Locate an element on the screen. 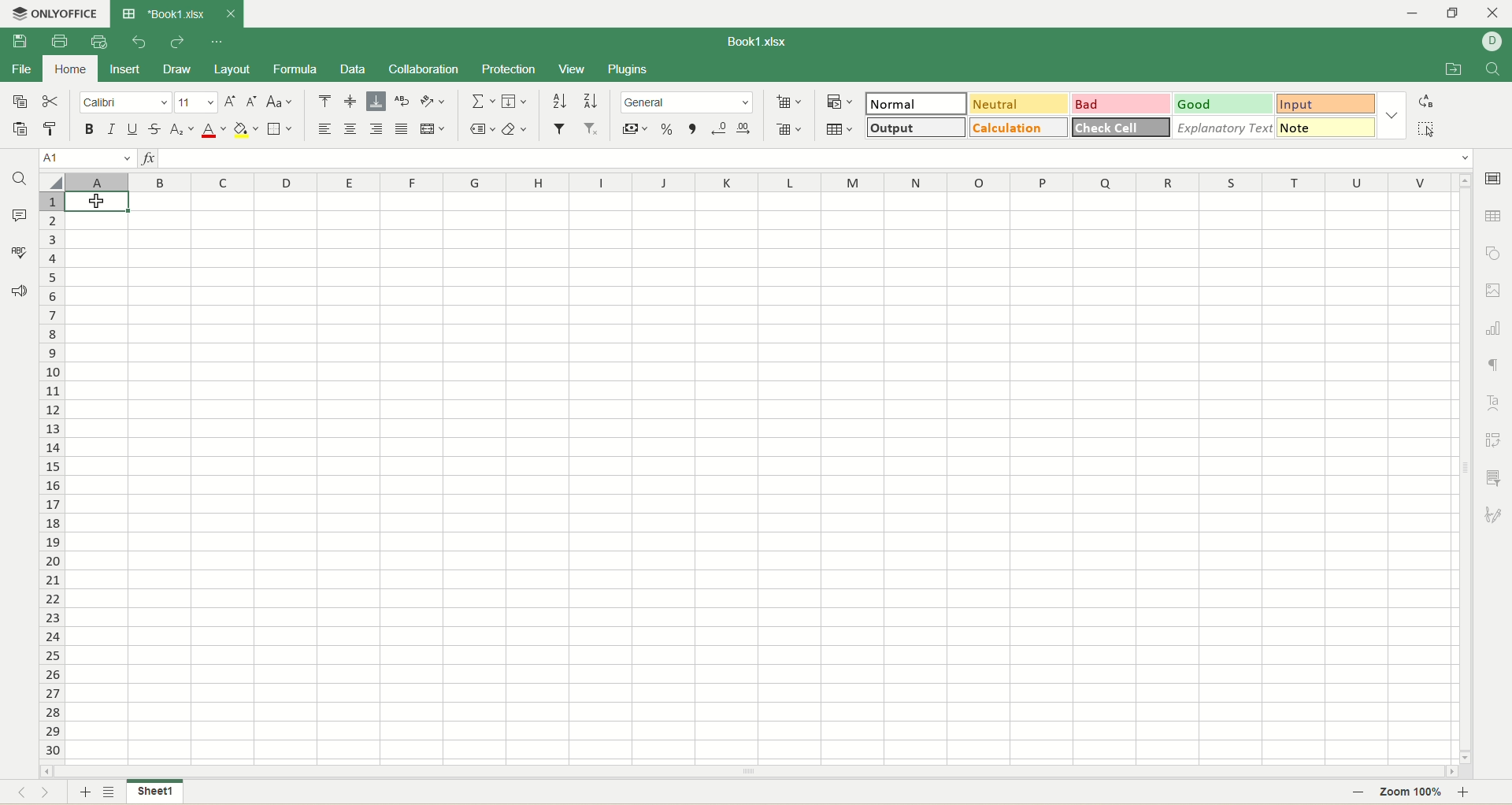 This screenshot has height=805, width=1512. insert function is located at coordinates (148, 158).